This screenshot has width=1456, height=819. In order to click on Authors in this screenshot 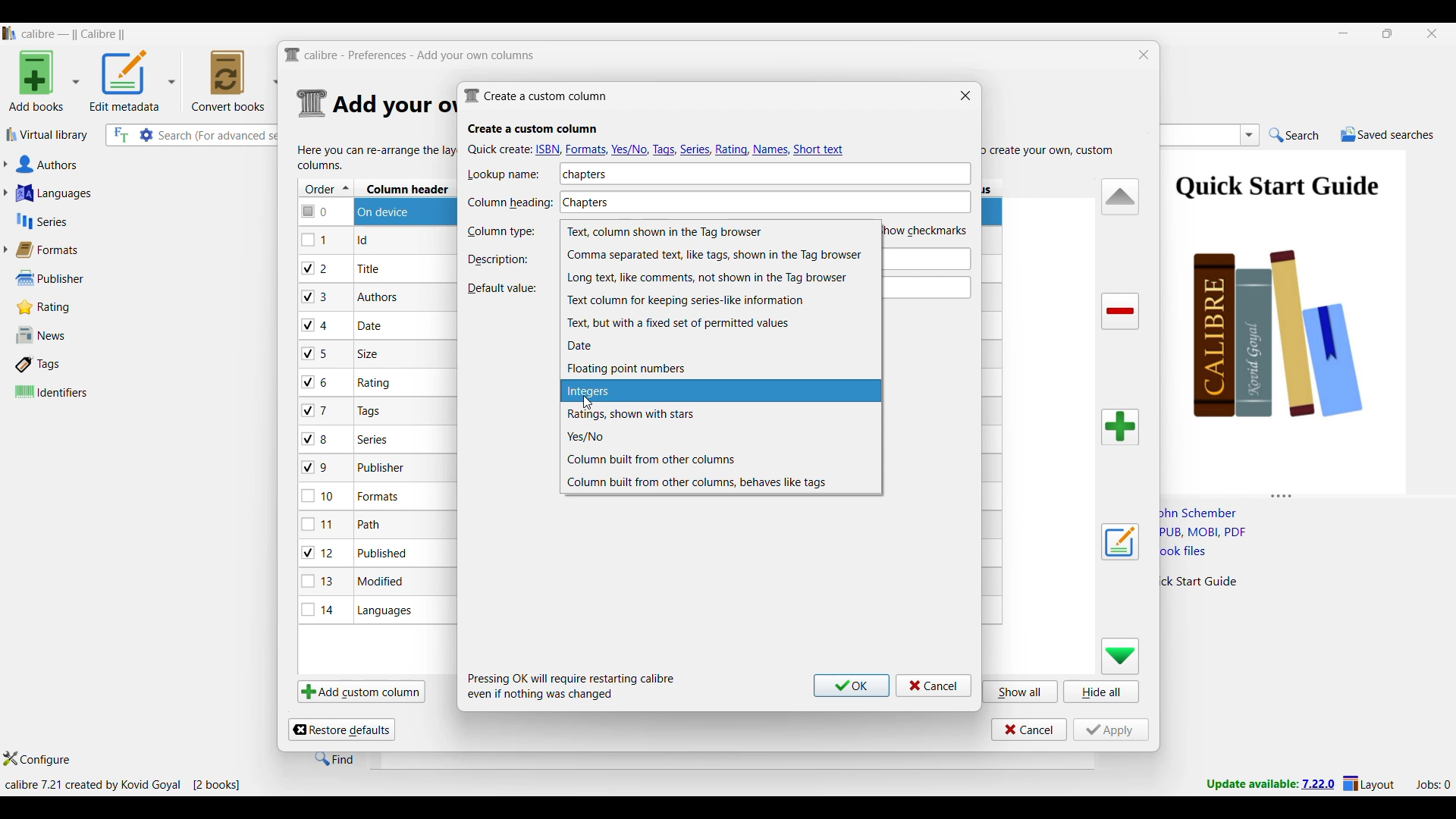, I will do `click(120, 165)`.